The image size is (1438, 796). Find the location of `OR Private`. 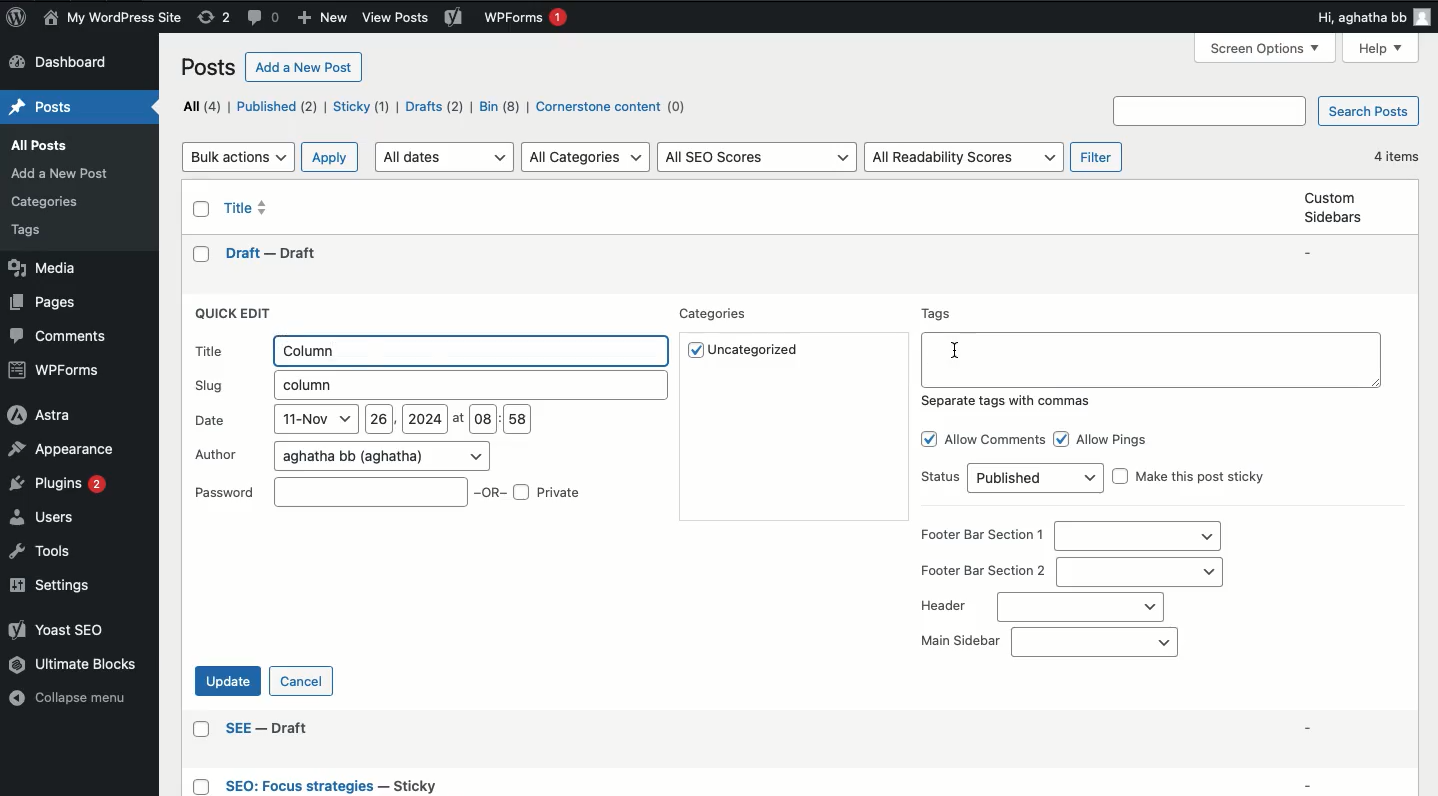

OR Private is located at coordinates (531, 493).